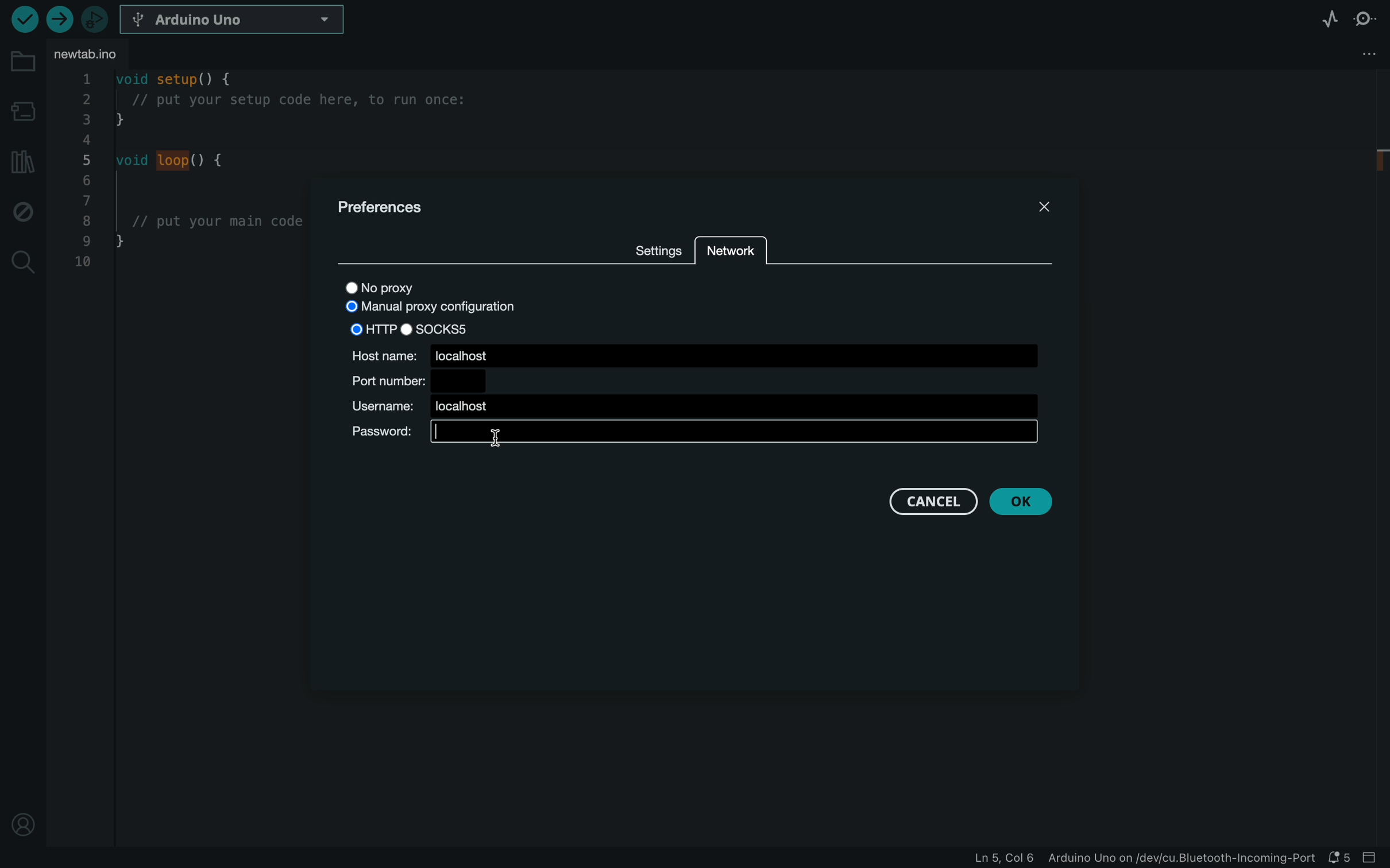  I want to click on host name, so click(693, 354).